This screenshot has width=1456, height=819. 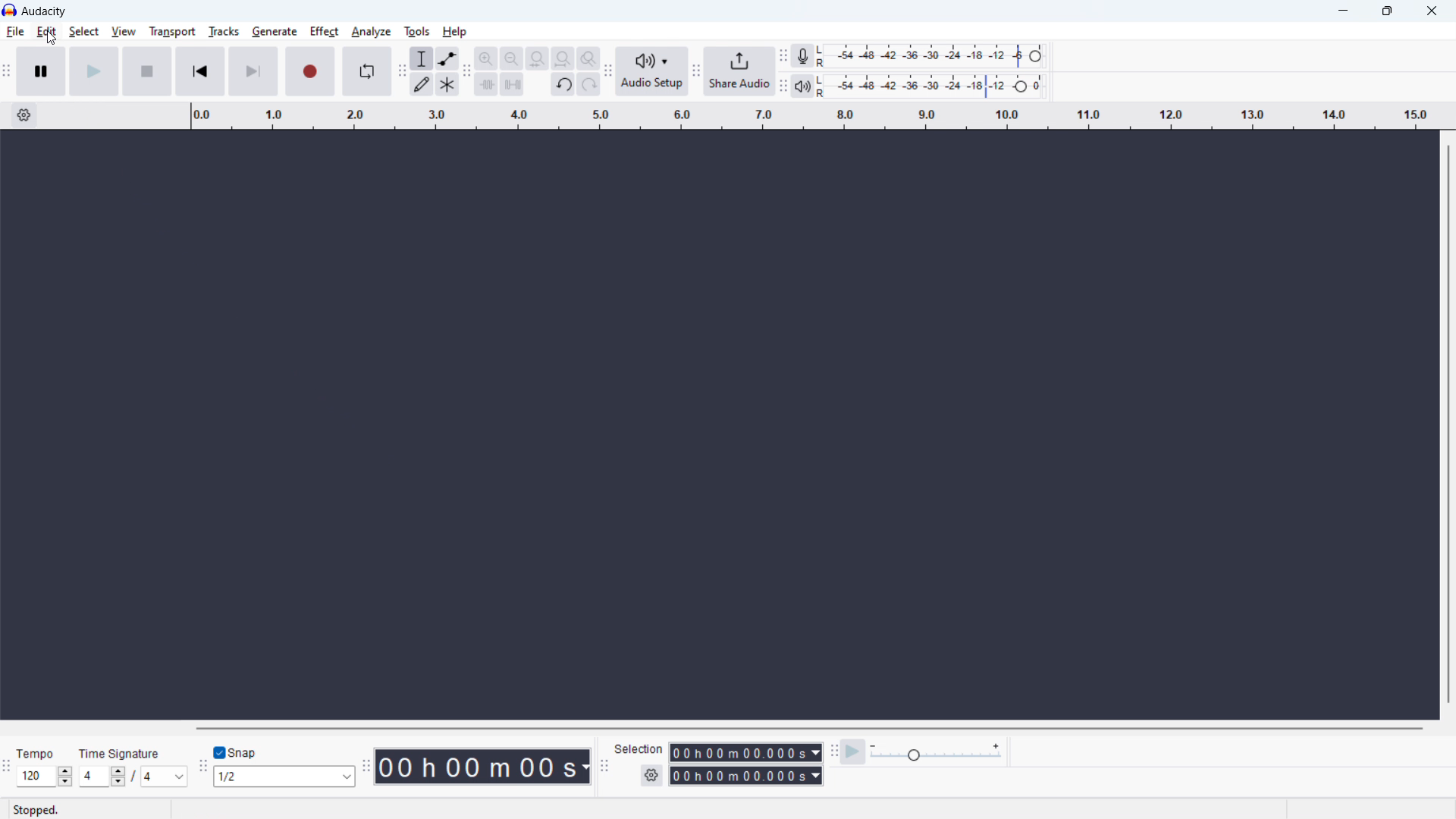 What do you see at coordinates (783, 86) in the screenshot?
I see `playback meter toolbar` at bounding box center [783, 86].